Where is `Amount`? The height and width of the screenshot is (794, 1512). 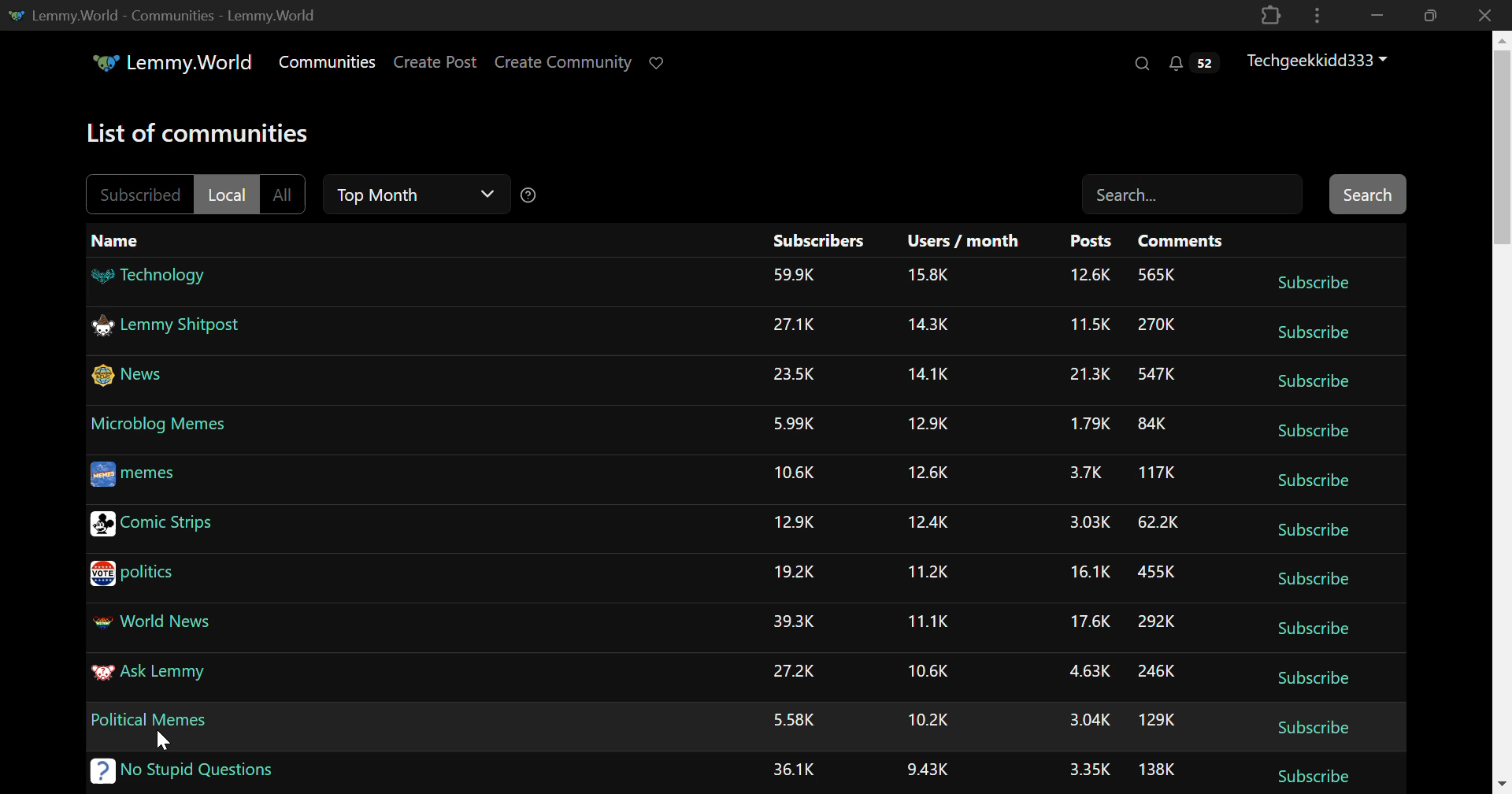 Amount is located at coordinates (797, 473).